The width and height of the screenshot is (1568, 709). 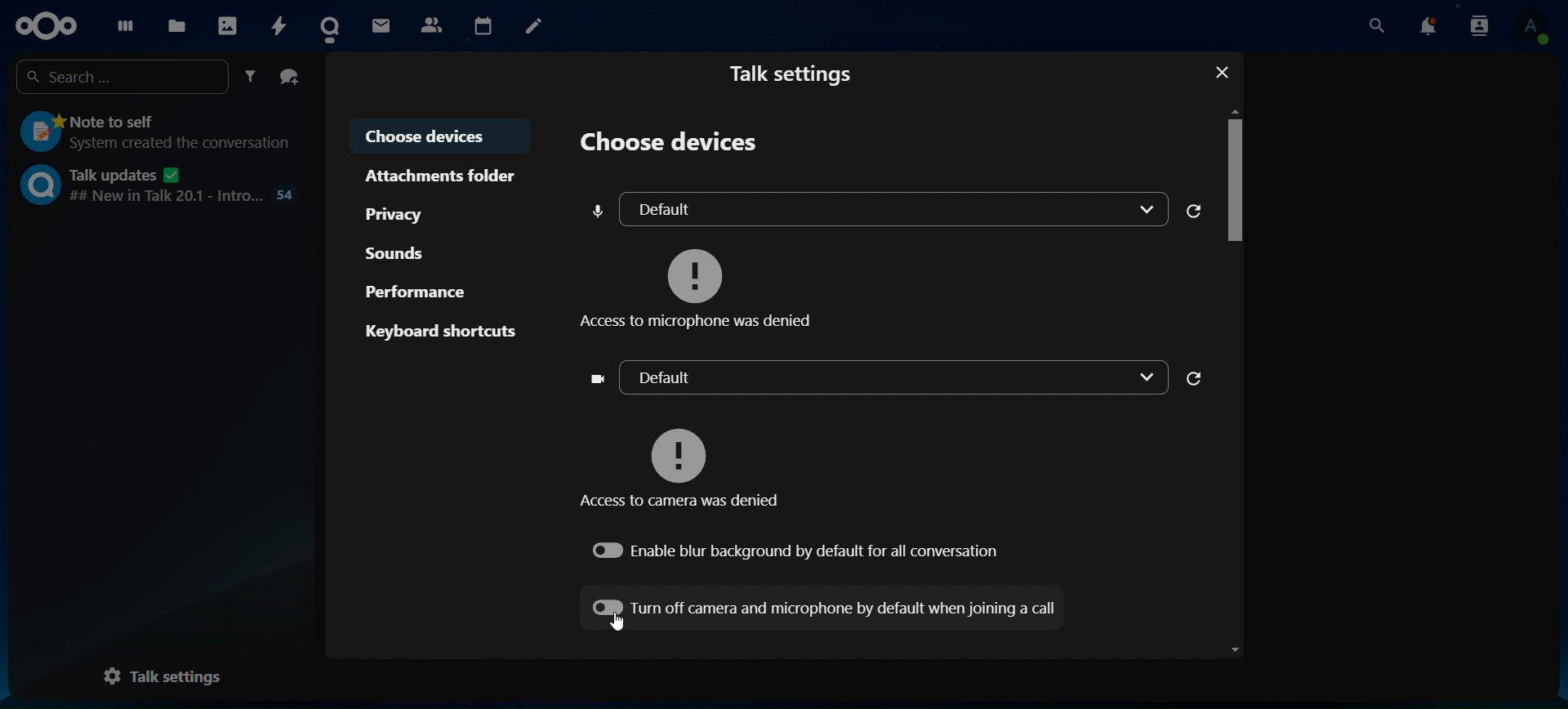 I want to click on access to microphone was denied, so click(x=707, y=283).